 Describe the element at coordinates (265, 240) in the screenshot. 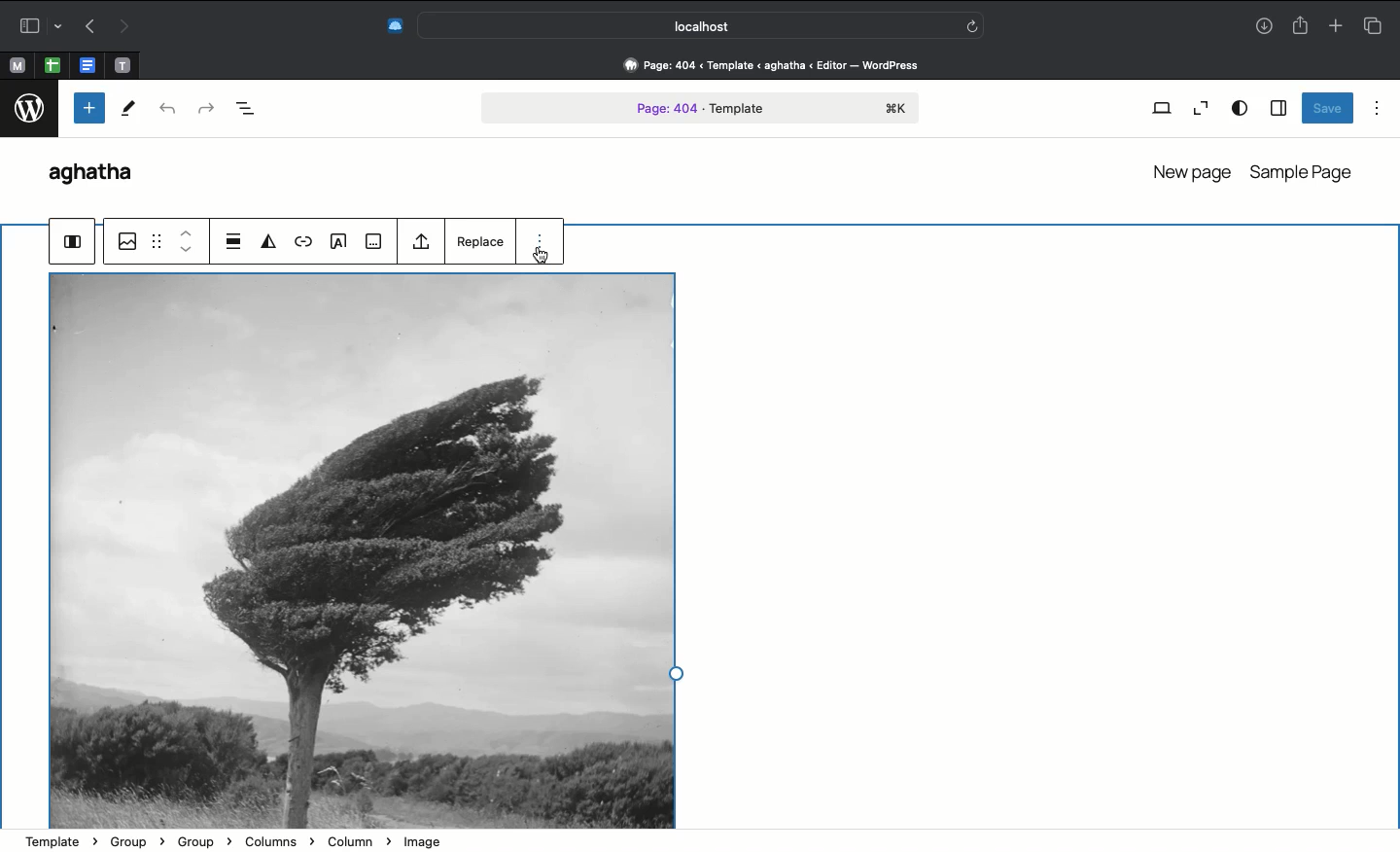

I see `Duotone` at that location.